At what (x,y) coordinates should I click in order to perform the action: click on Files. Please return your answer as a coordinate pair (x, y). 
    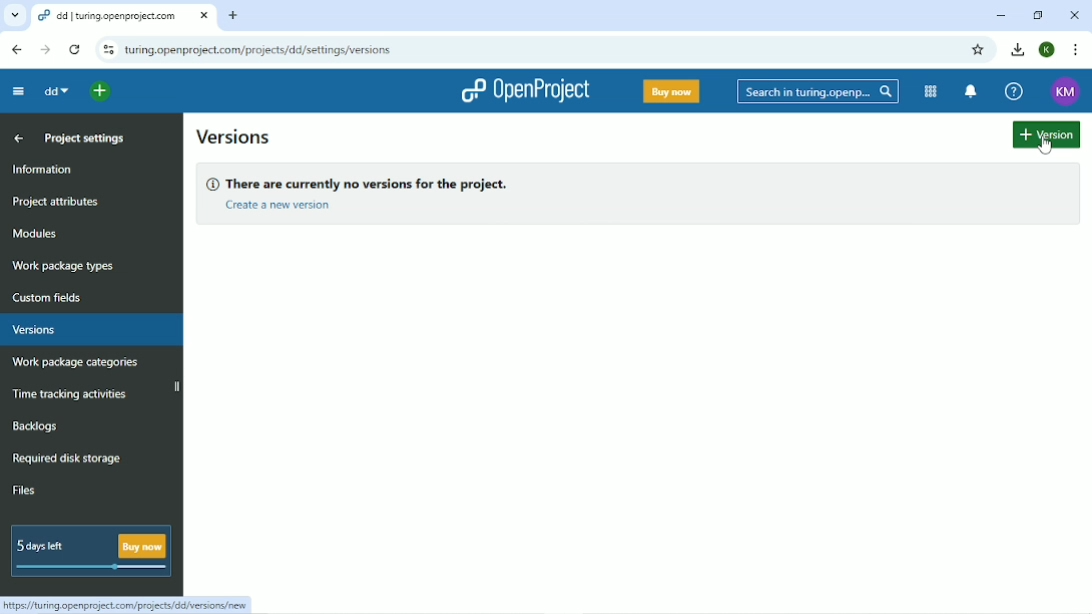
    Looking at the image, I should click on (24, 489).